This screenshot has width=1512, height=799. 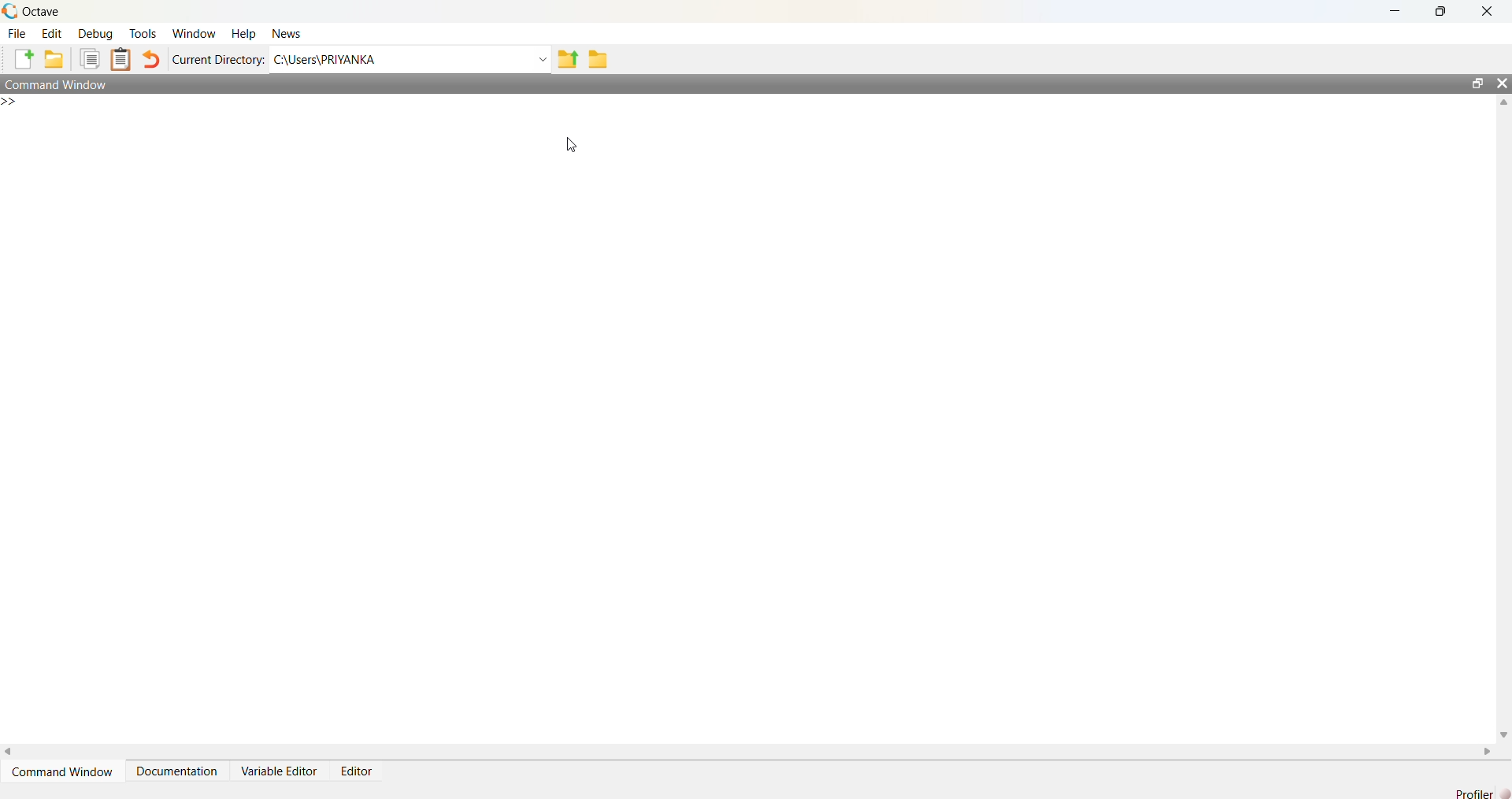 I want to click on Octave, so click(x=37, y=11).